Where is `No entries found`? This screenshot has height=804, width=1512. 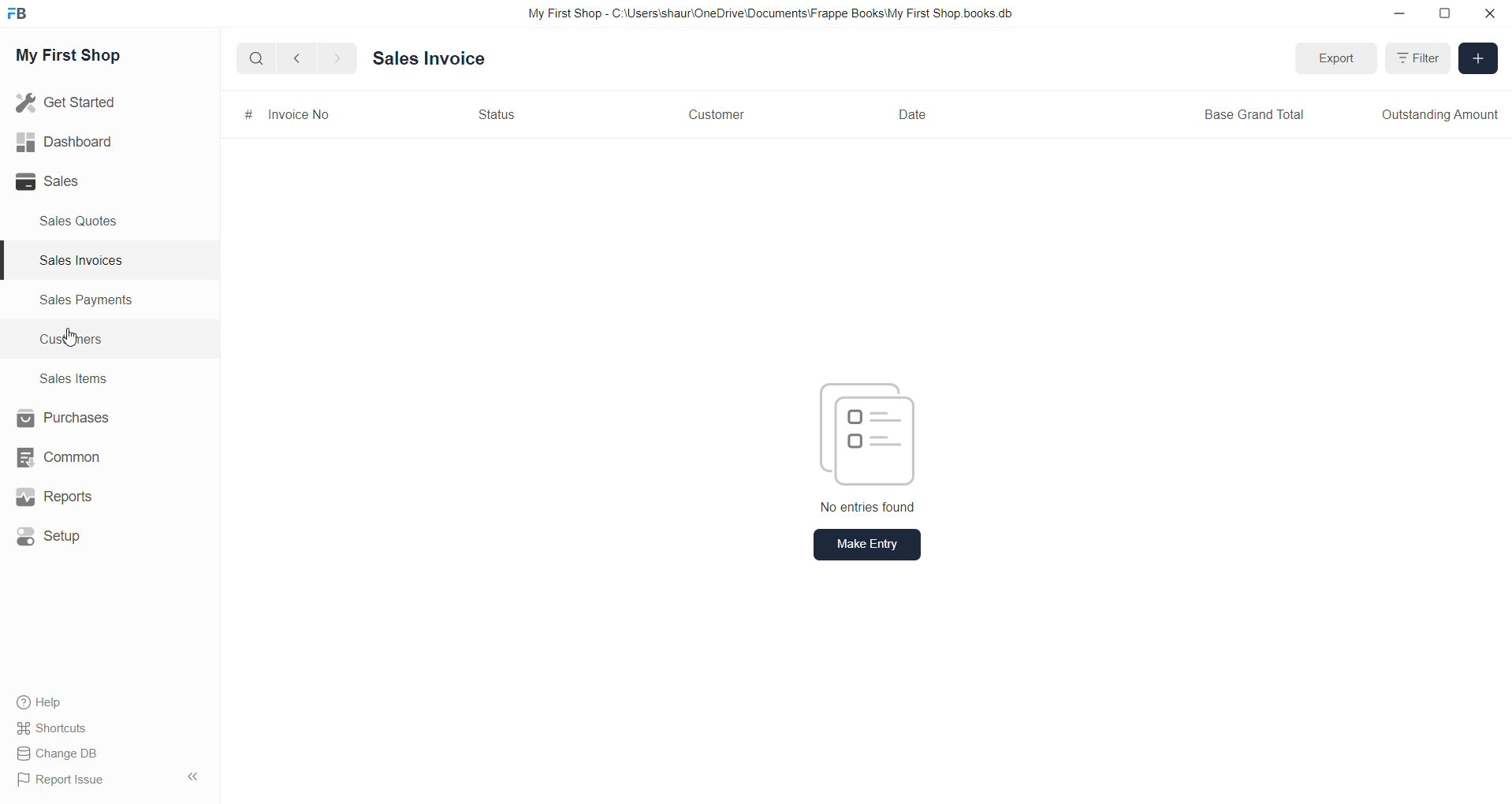
No entries found is located at coordinates (873, 509).